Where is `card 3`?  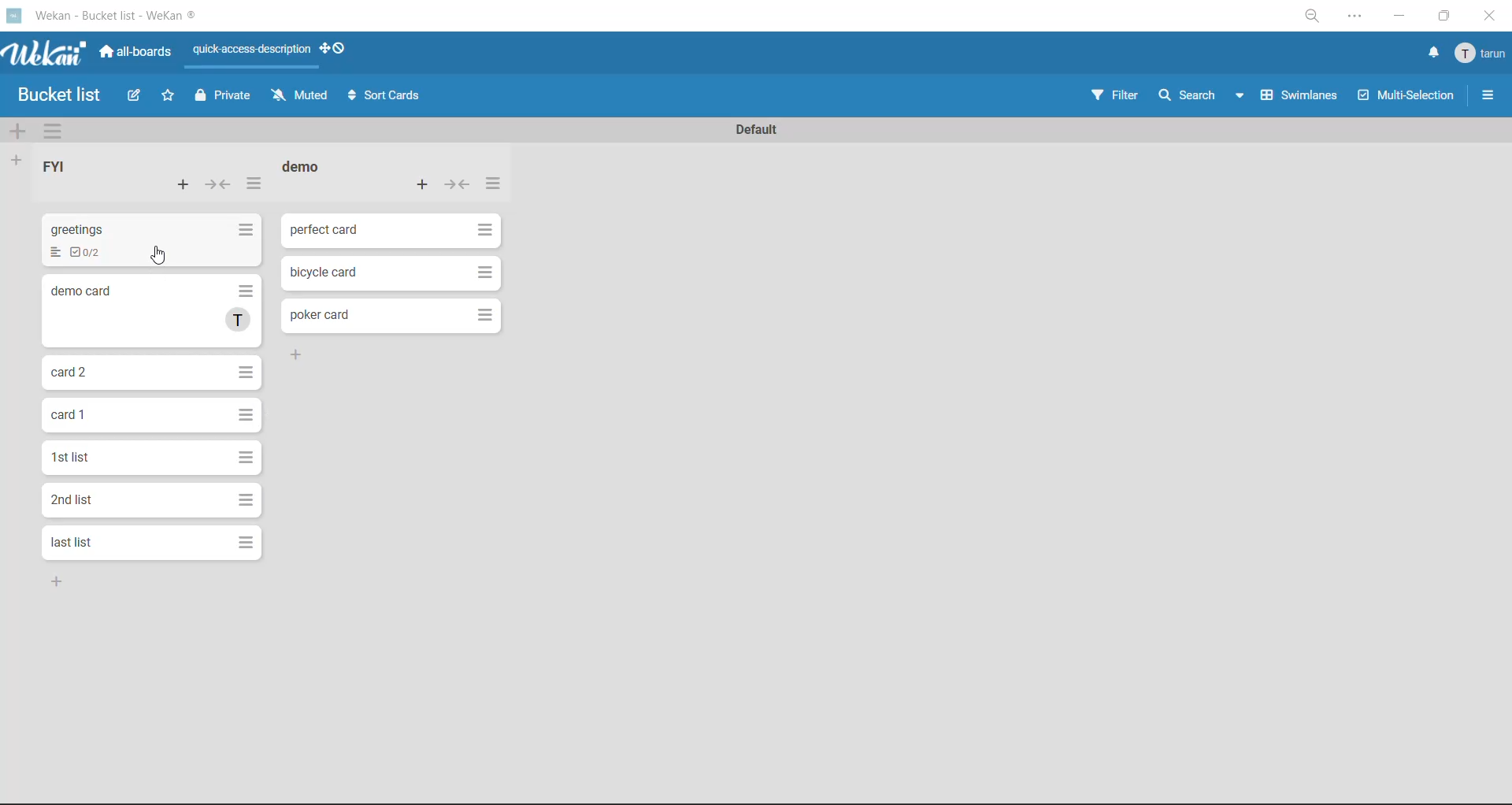
card 3 is located at coordinates (154, 372).